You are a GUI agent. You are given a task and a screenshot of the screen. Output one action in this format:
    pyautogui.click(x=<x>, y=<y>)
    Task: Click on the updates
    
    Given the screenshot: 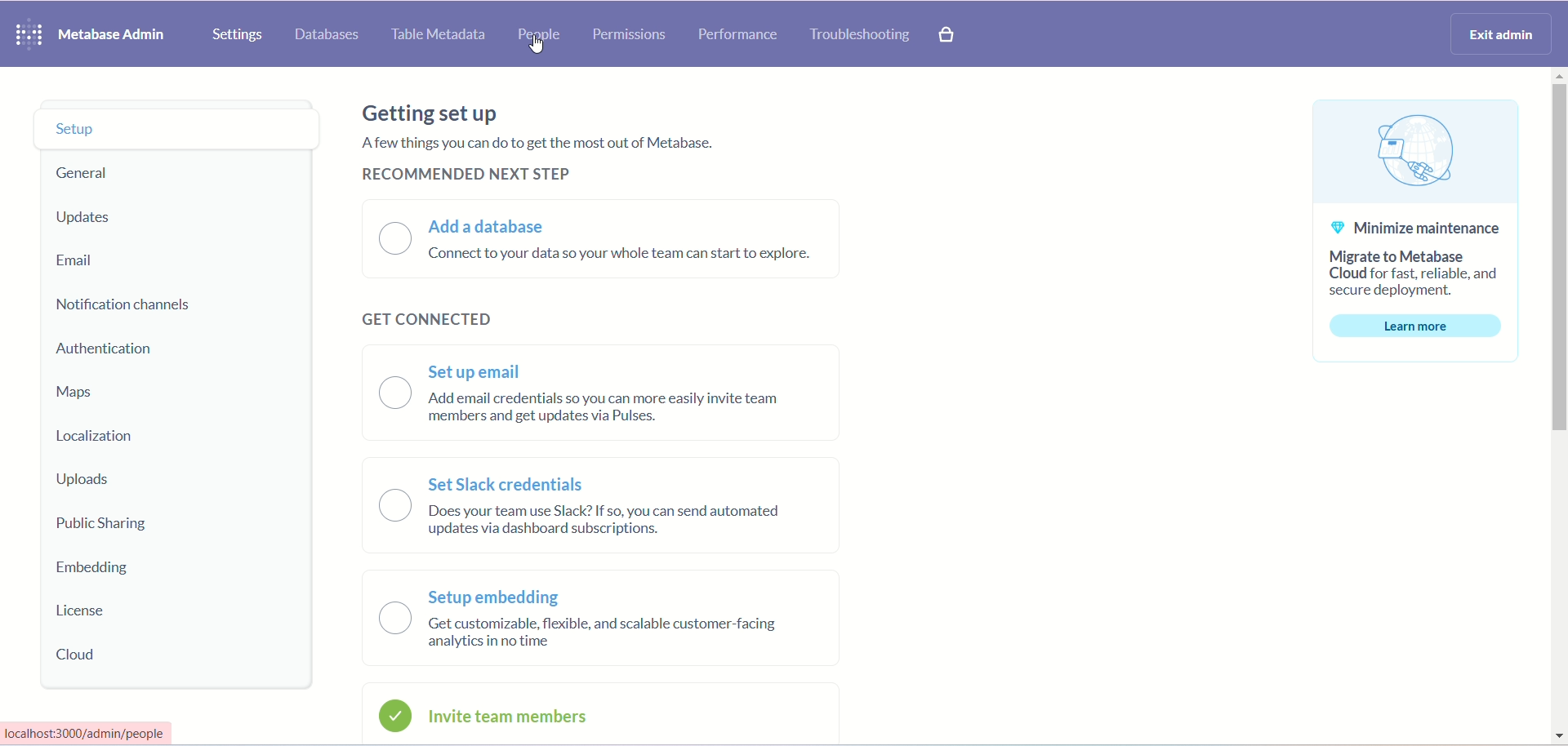 What is the action you would take?
    pyautogui.click(x=87, y=220)
    